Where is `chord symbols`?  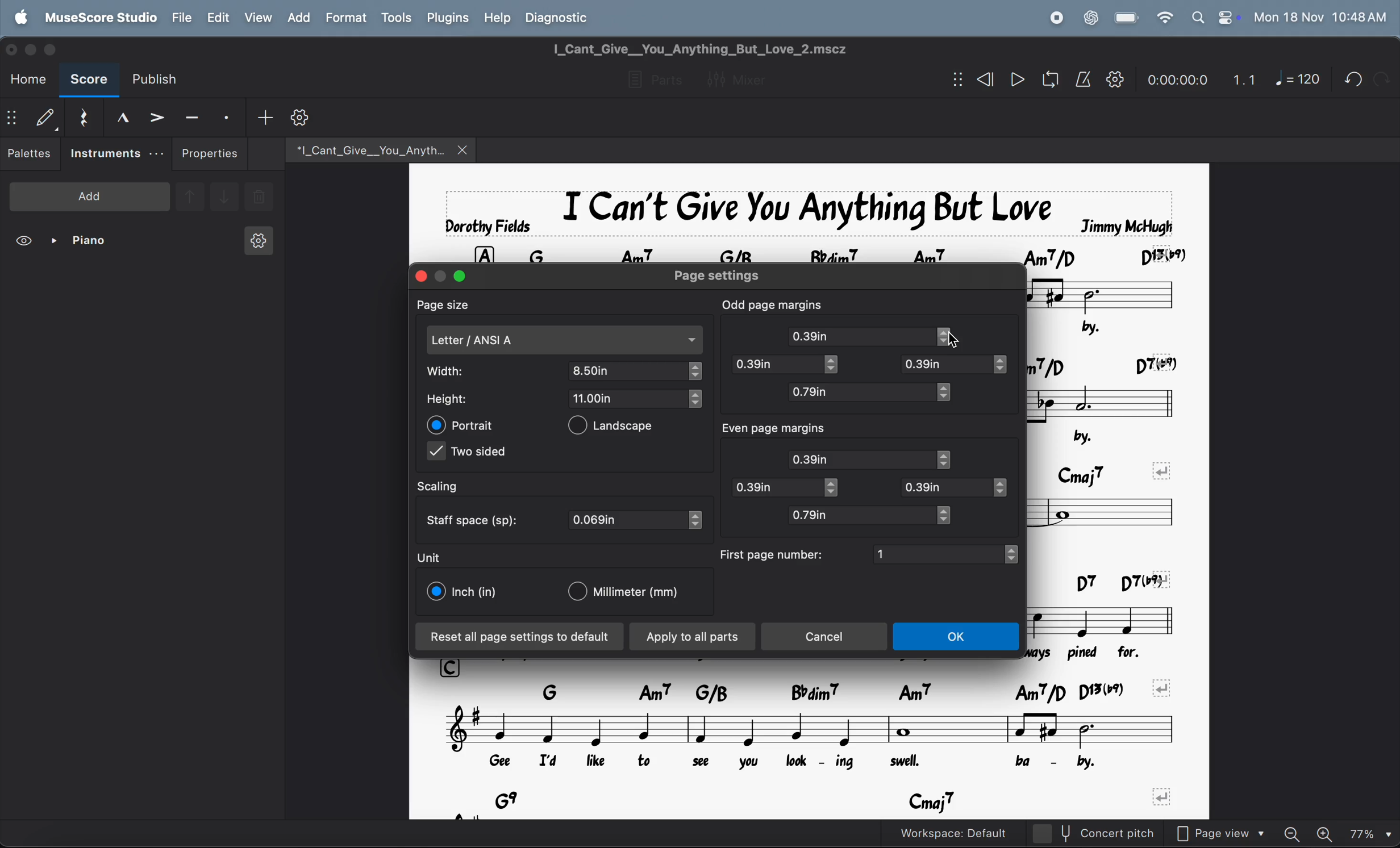 chord symbols is located at coordinates (856, 252).